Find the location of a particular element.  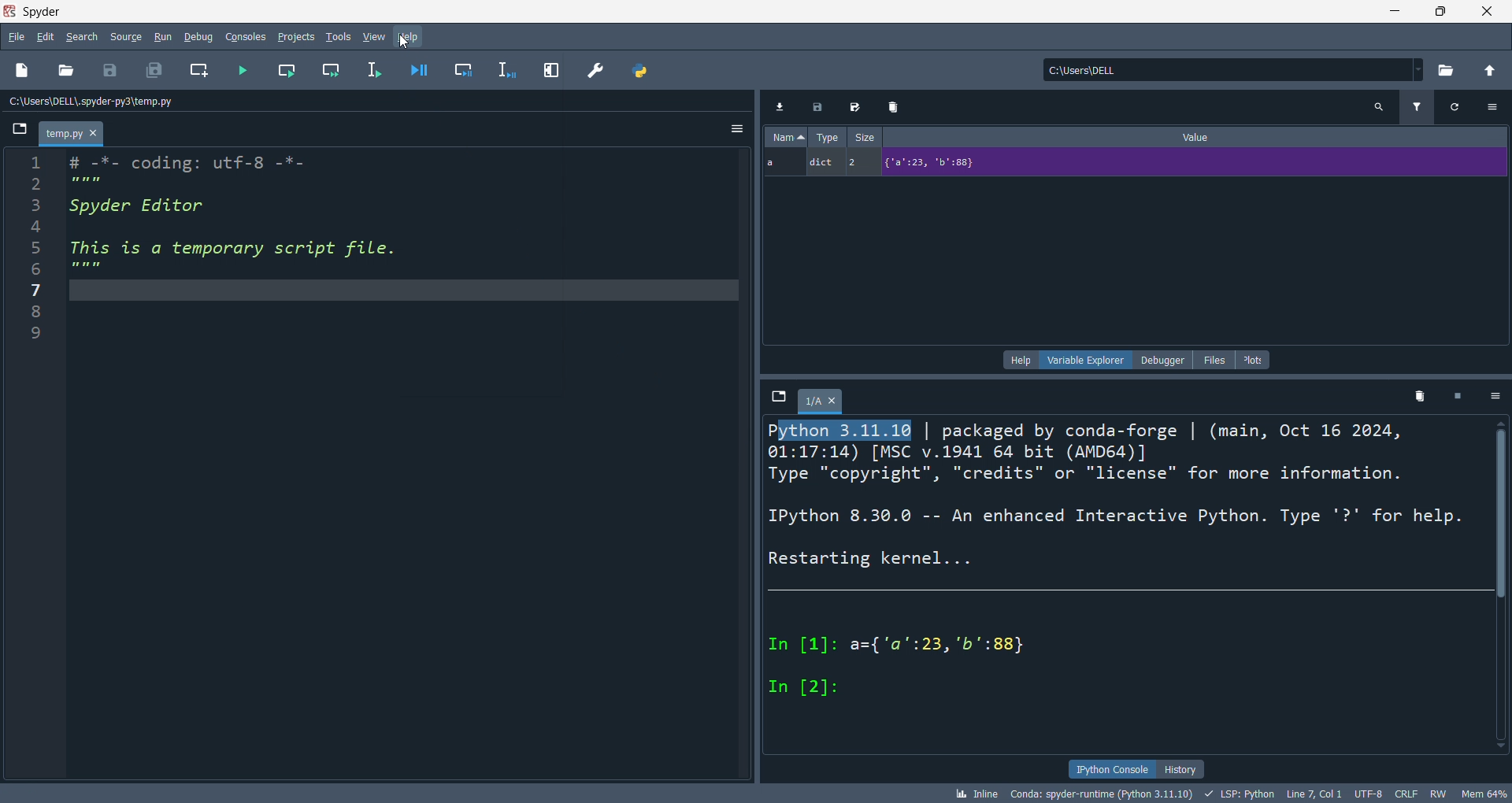

preferences is located at coordinates (597, 70).